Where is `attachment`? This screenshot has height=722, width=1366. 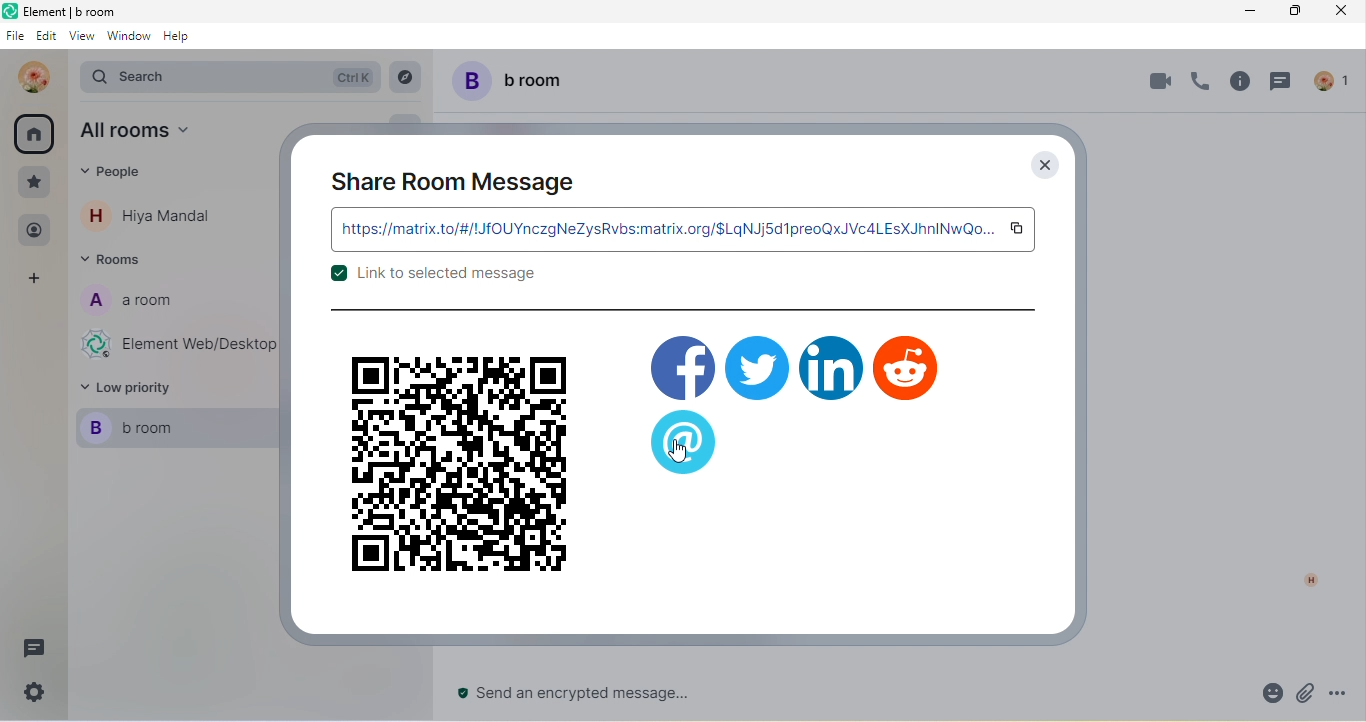 attachment is located at coordinates (1306, 694).